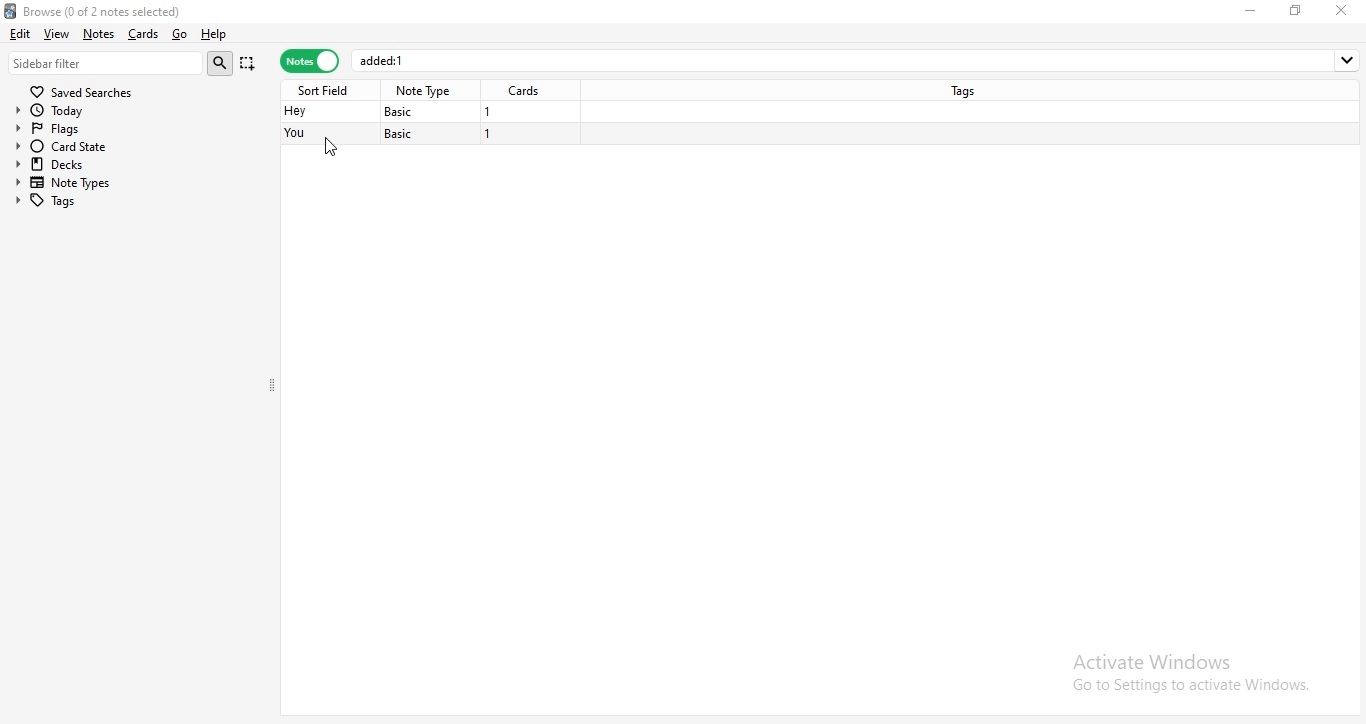 This screenshot has height=724, width=1366. I want to click on 1, so click(490, 136).